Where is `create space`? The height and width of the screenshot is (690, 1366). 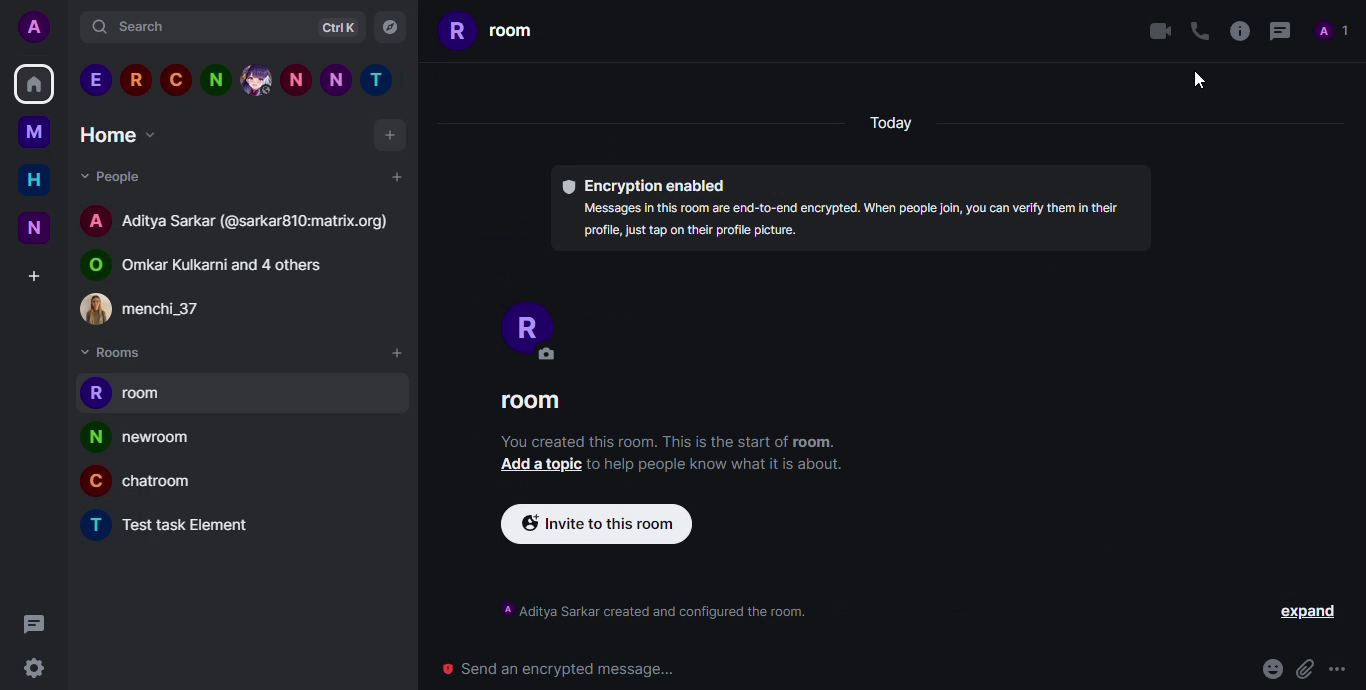
create space is located at coordinates (32, 276).